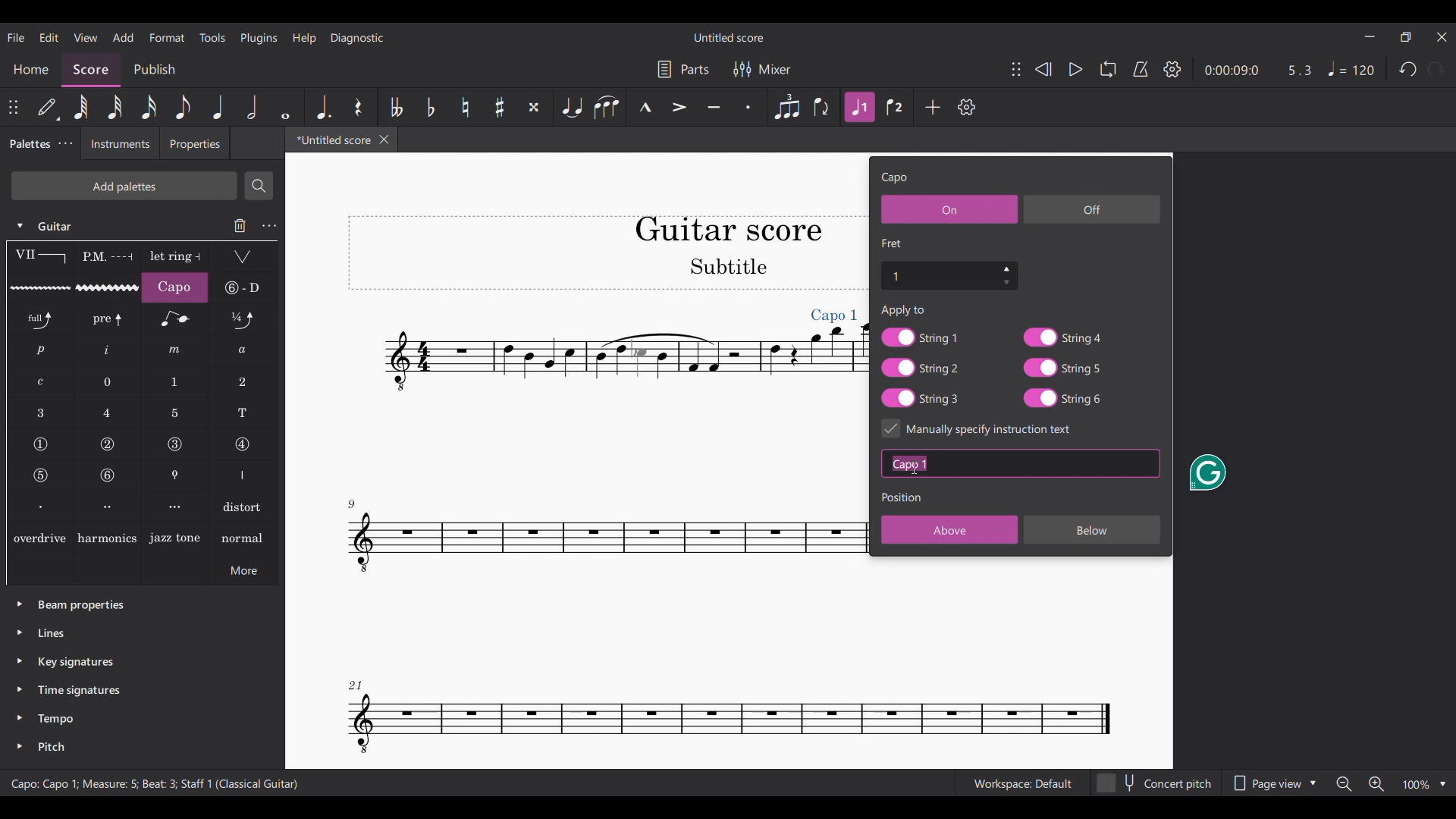 The width and height of the screenshot is (1456, 819). I want to click on Help menu, so click(304, 39).